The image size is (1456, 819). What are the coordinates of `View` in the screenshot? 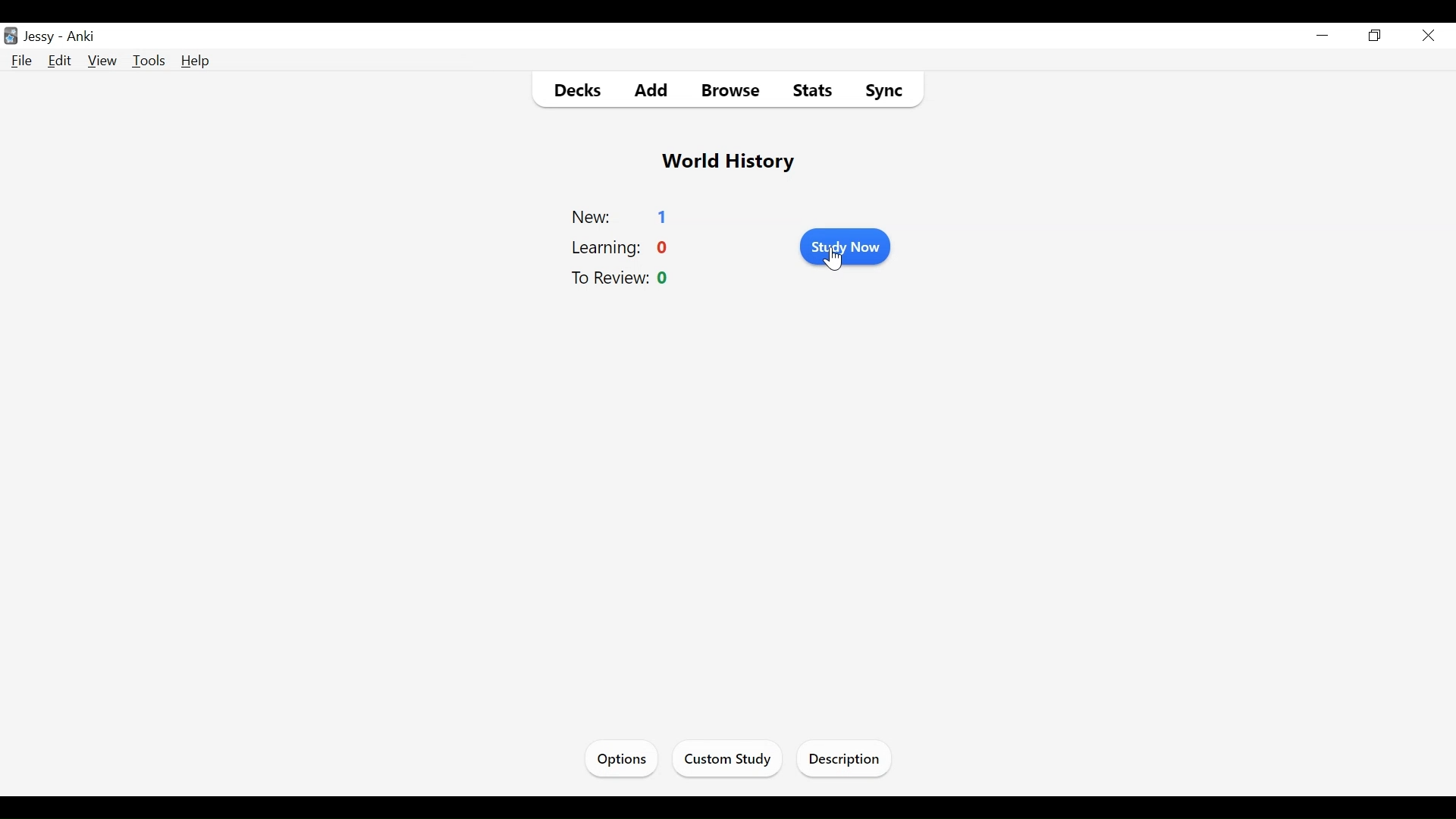 It's located at (101, 61).